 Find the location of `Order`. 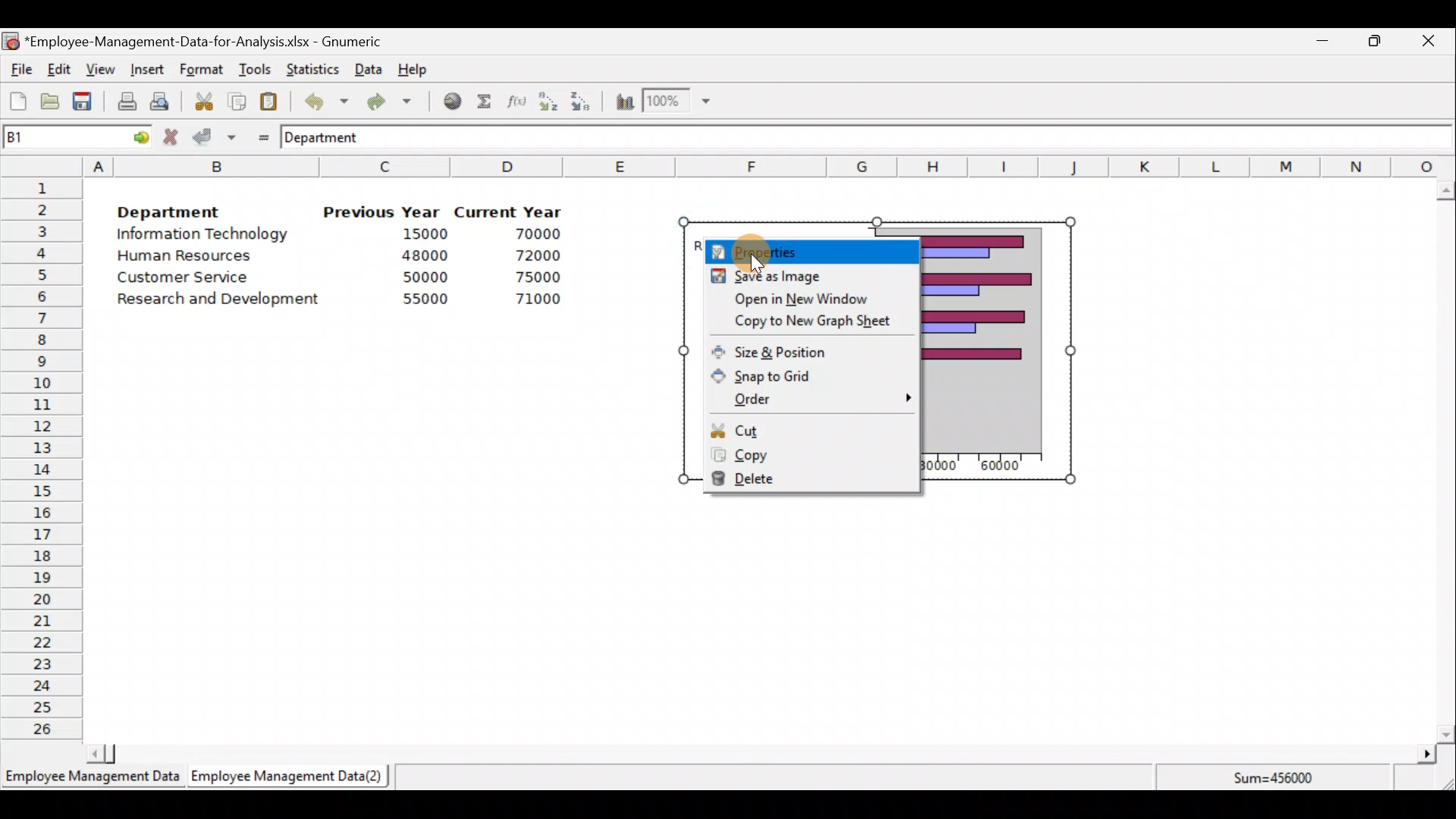

Order is located at coordinates (805, 400).